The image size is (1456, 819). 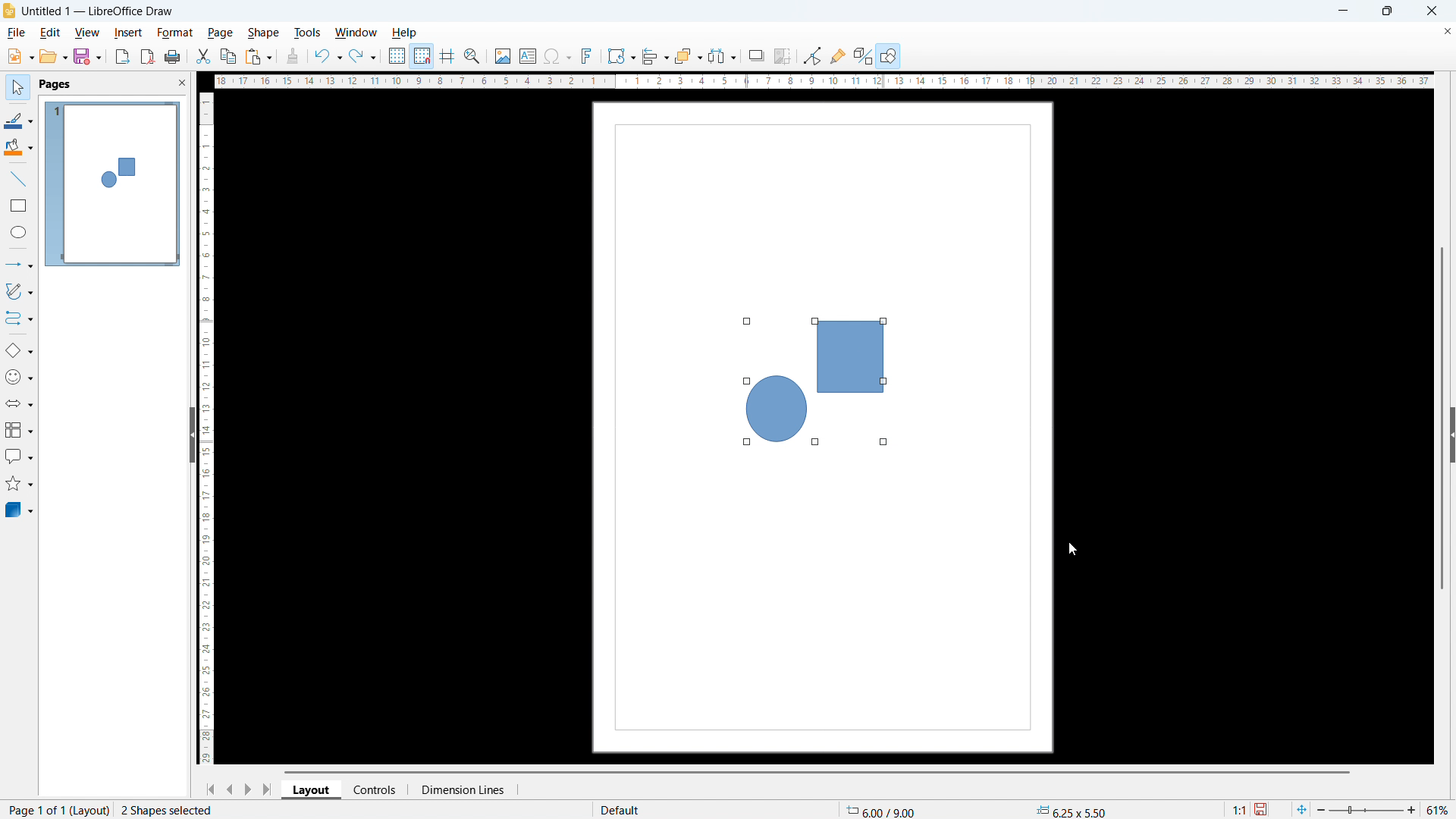 I want to click on scaling factor, so click(x=1241, y=809).